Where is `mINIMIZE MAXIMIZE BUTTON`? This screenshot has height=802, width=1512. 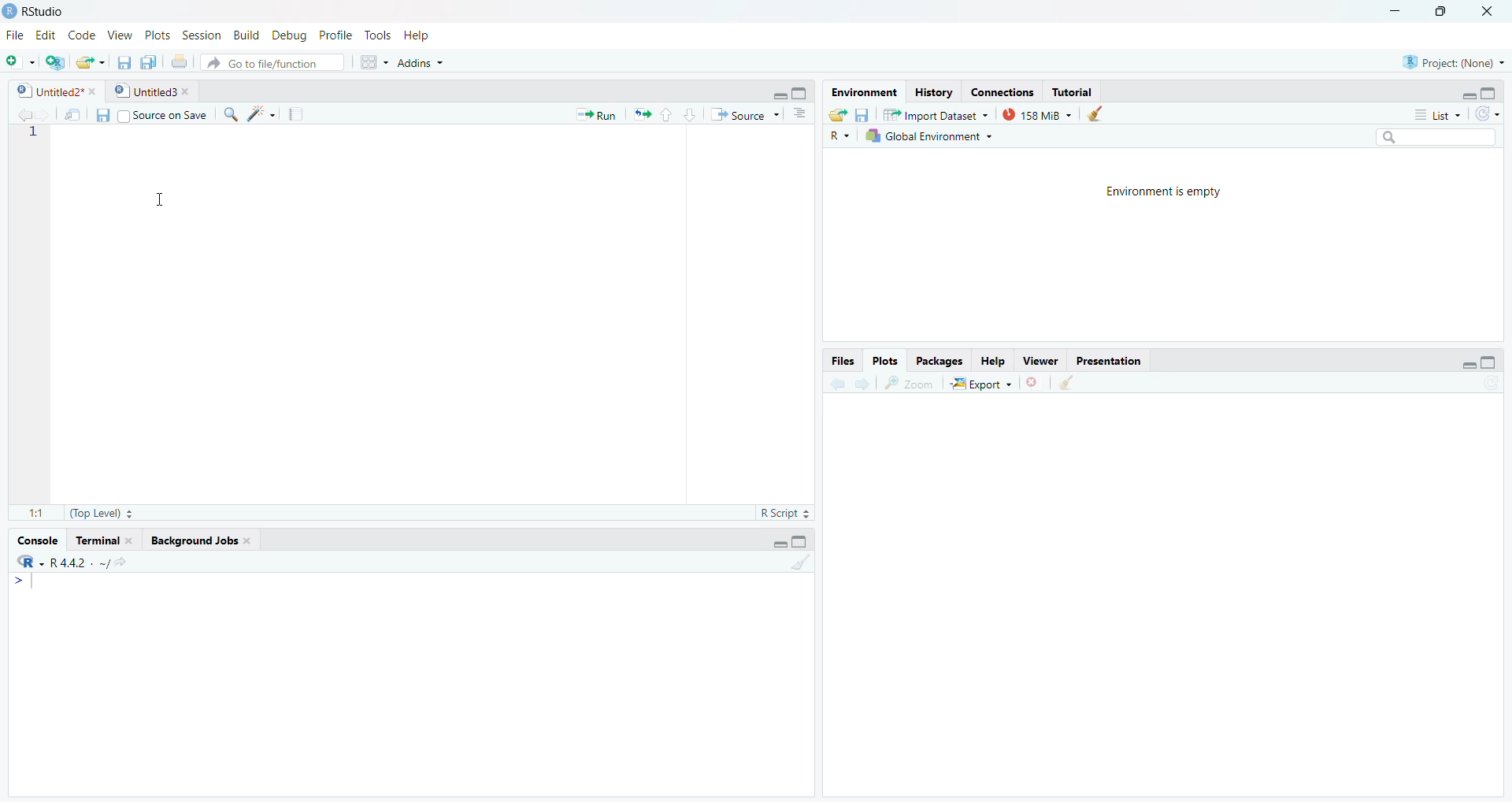
mINIMIZE MAXIMIZE BUTTON is located at coordinates (791, 543).